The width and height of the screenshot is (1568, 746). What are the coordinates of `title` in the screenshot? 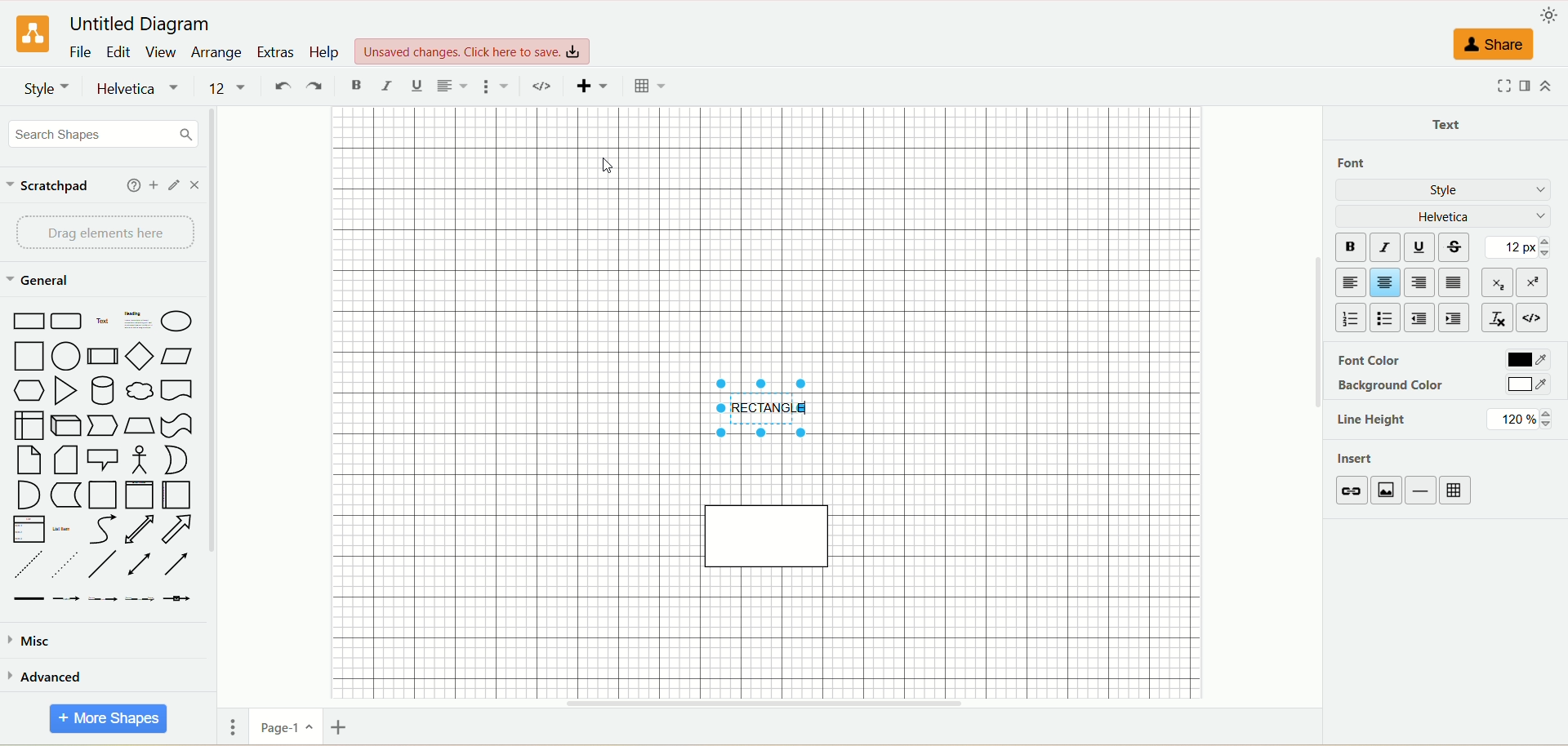 It's located at (771, 408).